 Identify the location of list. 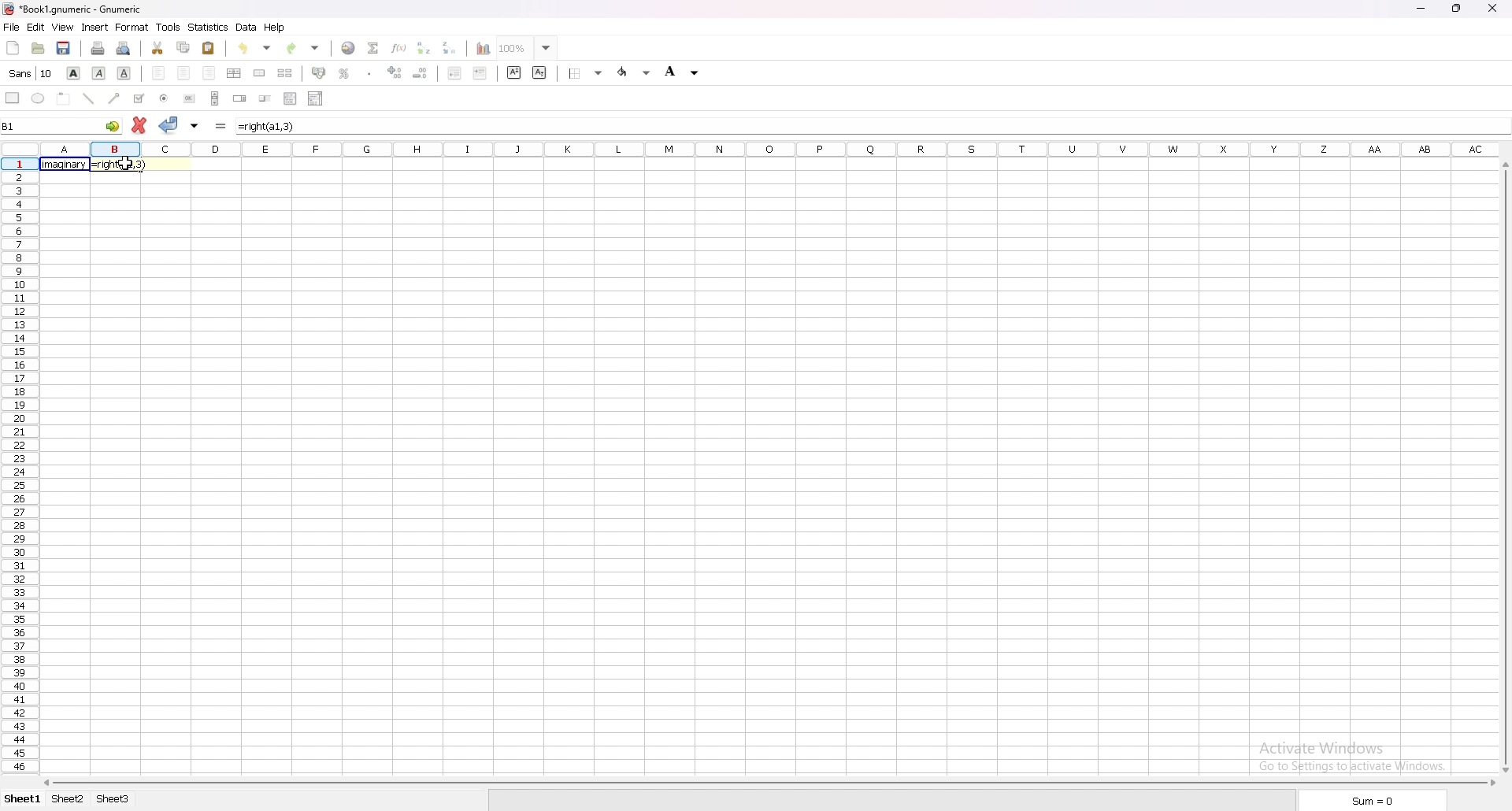
(291, 98).